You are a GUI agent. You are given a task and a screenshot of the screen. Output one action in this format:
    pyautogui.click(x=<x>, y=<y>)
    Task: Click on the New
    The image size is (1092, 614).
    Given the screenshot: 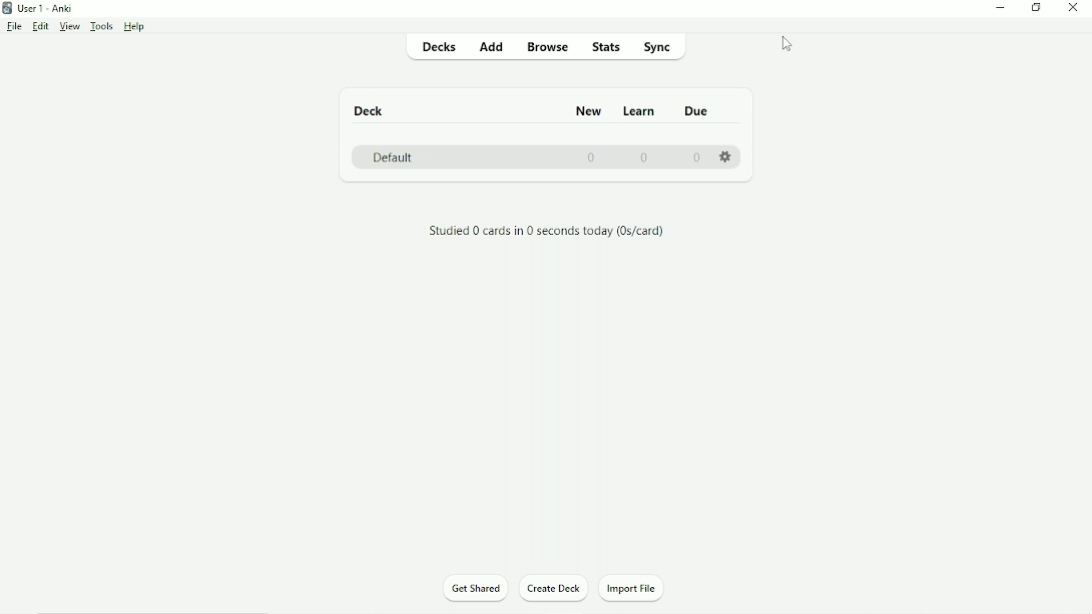 What is the action you would take?
    pyautogui.click(x=588, y=111)
    